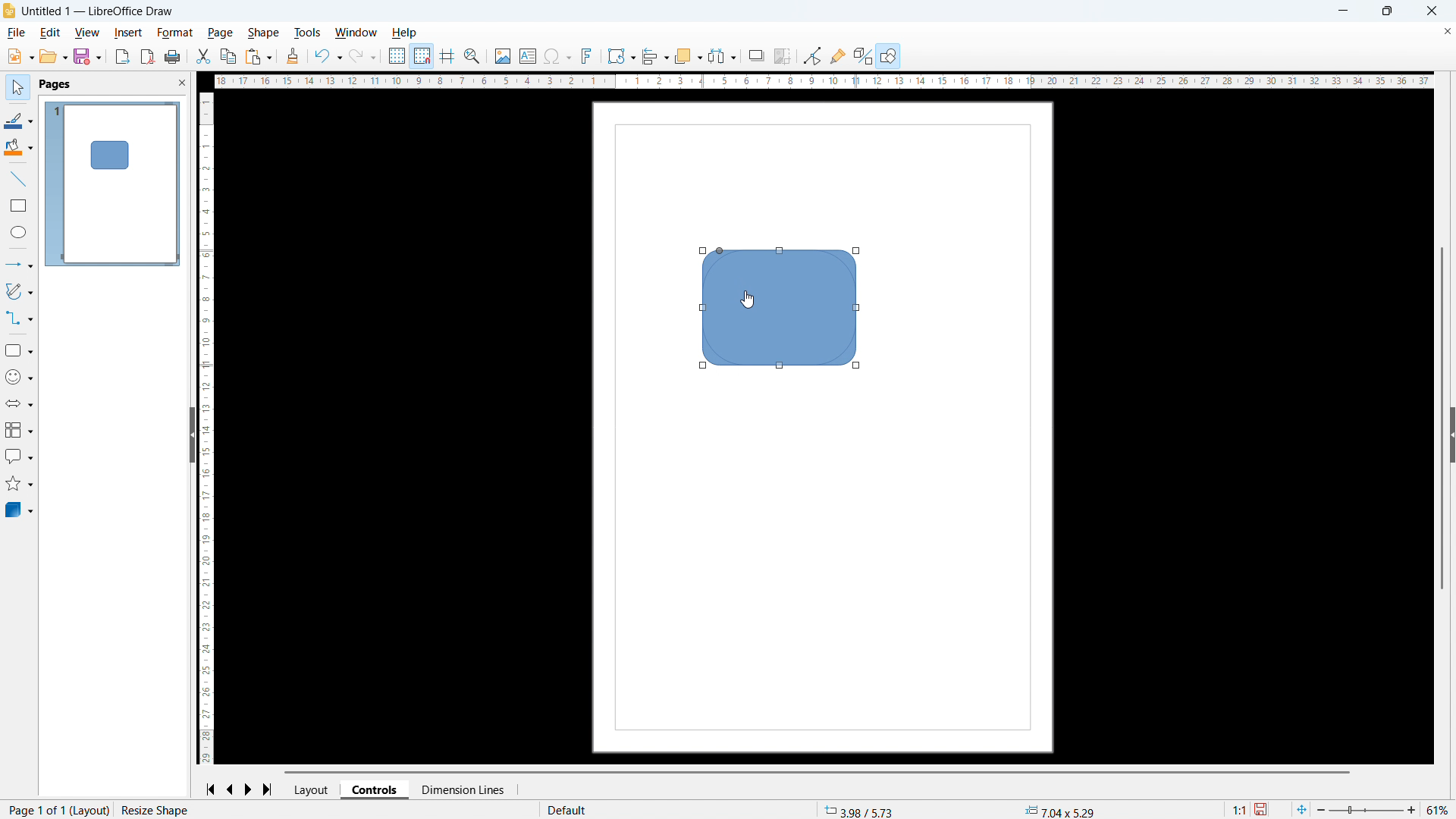 This screenshot has height=819, width=1456. Describe the element at coordinates (422, 57) in the screenshot. I see `Snap to grid ` at that location.